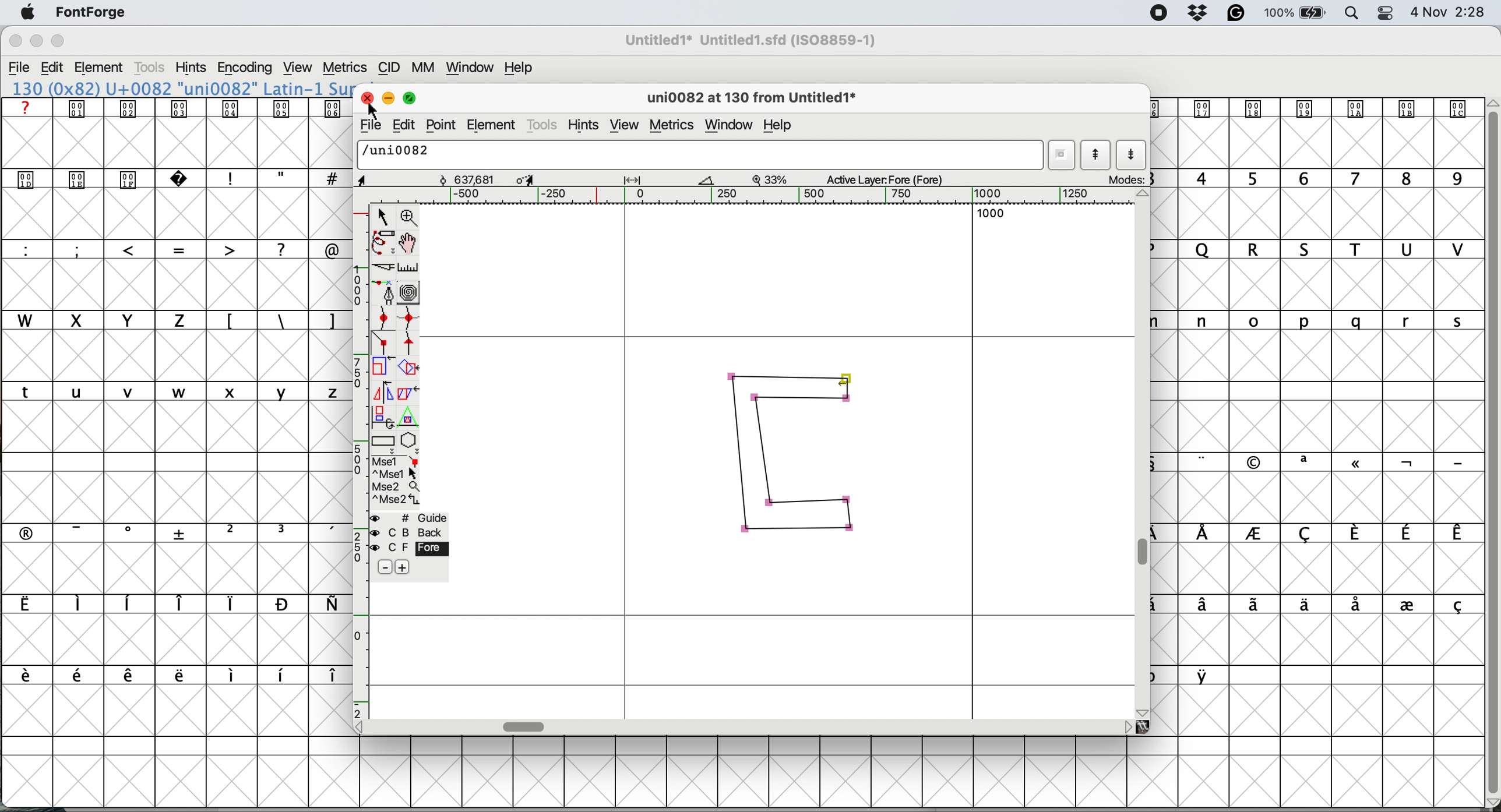 The width and height of the screenshot is (1501, 812). I want to click on symbols, so click(1331, 534).